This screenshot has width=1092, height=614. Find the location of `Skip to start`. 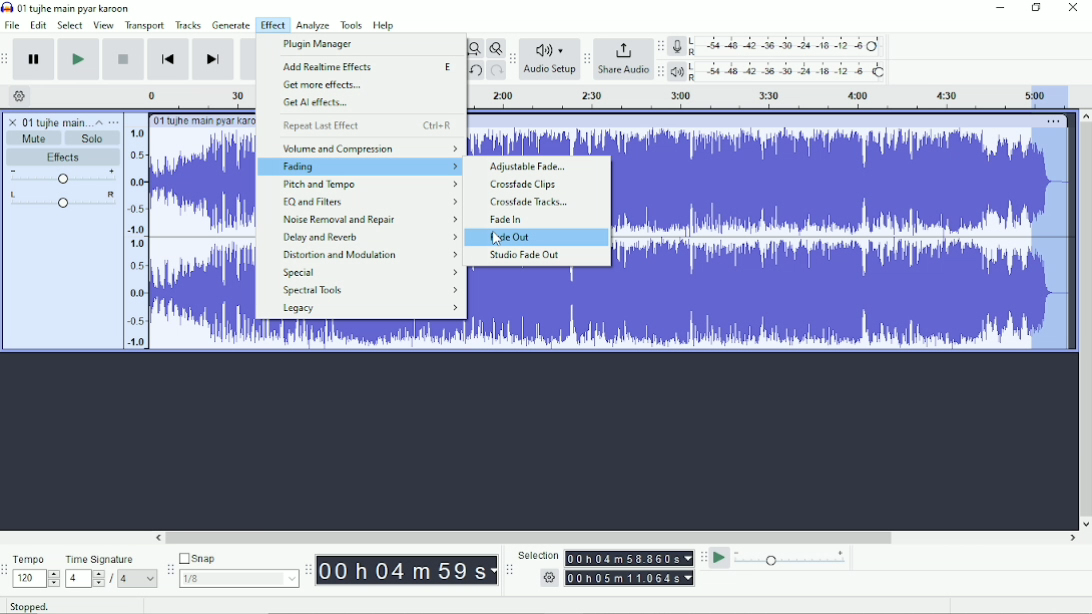

Skip to start is located at coordinates (168, 60).